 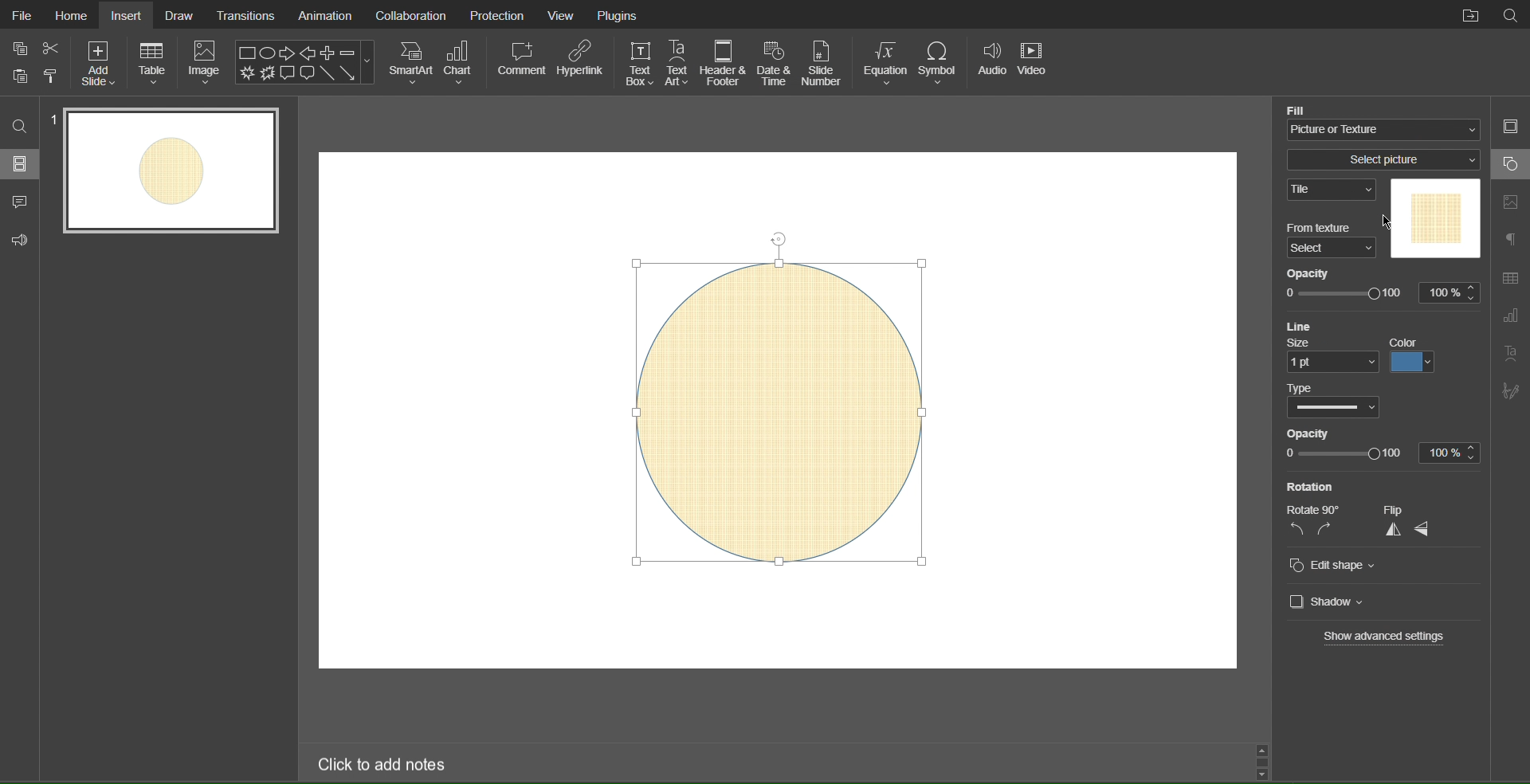 What do you see at coordinates (1331, 531) in the screenshot?
I see `rotate right` at bounding box center [1331, 531].